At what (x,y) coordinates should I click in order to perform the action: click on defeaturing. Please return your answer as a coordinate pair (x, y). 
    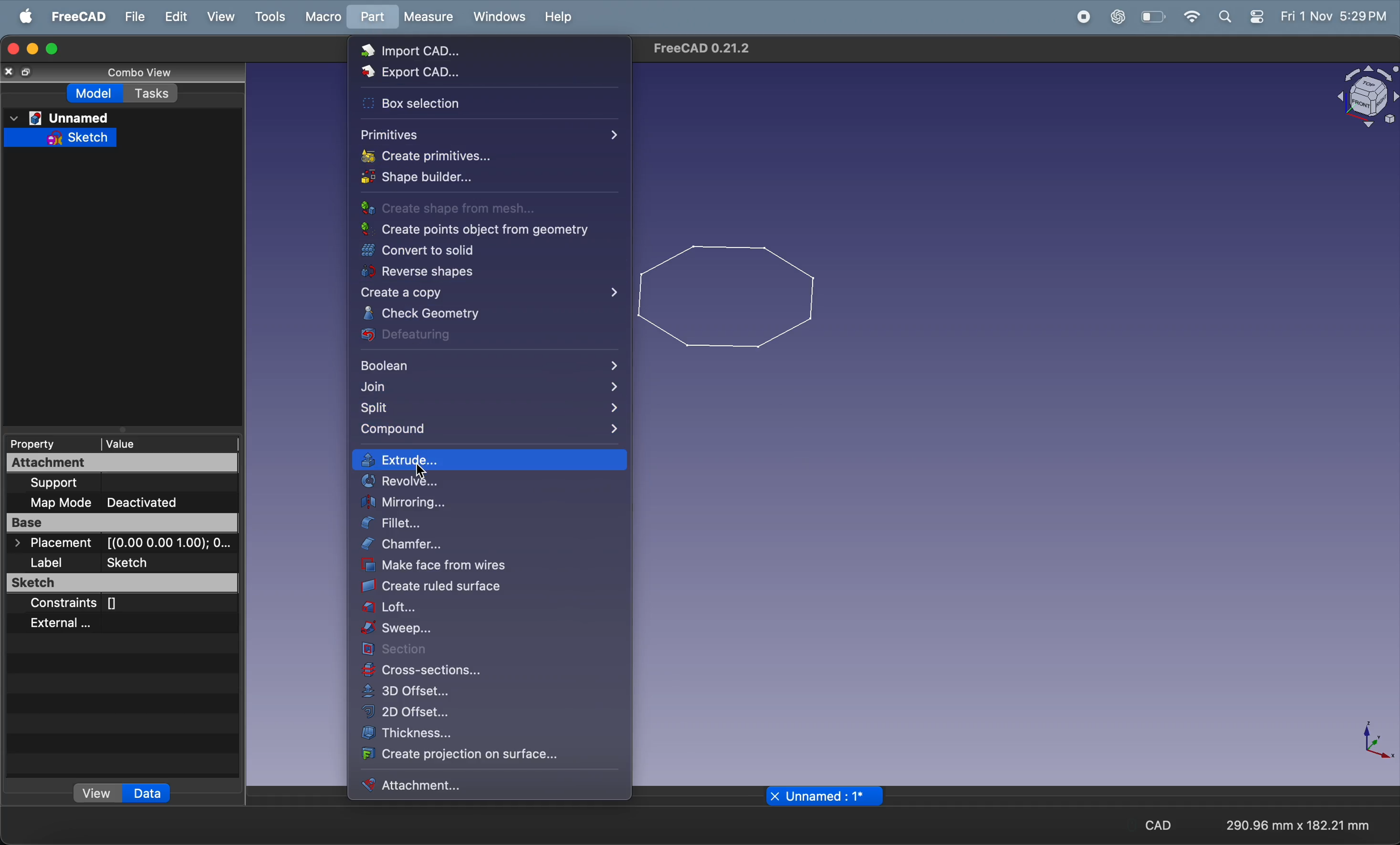
    Looking at the image, I should click on (489, 336).